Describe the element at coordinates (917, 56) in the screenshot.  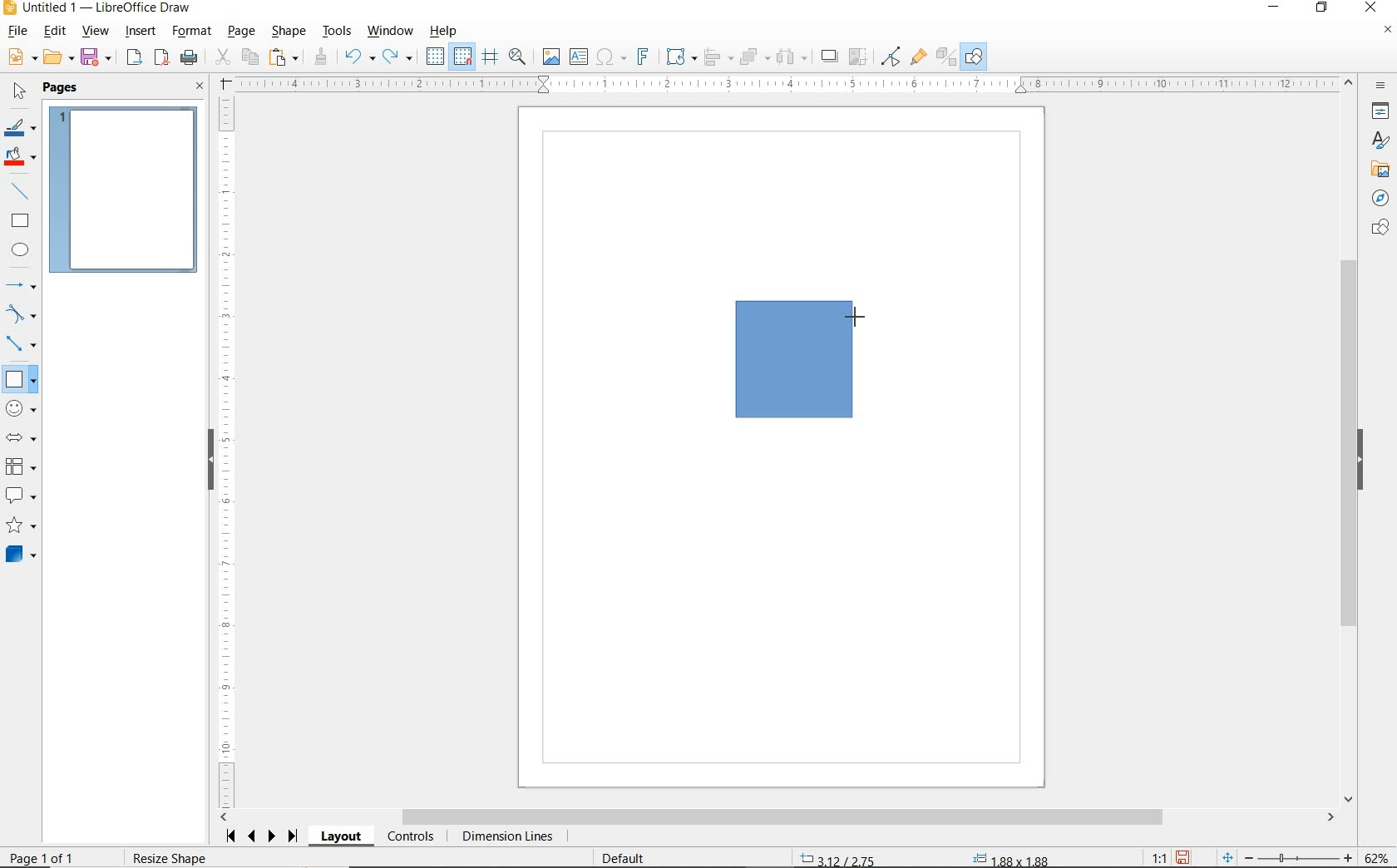
I see `SHOW GLUEPOINT FUNCTIONS` at that location.